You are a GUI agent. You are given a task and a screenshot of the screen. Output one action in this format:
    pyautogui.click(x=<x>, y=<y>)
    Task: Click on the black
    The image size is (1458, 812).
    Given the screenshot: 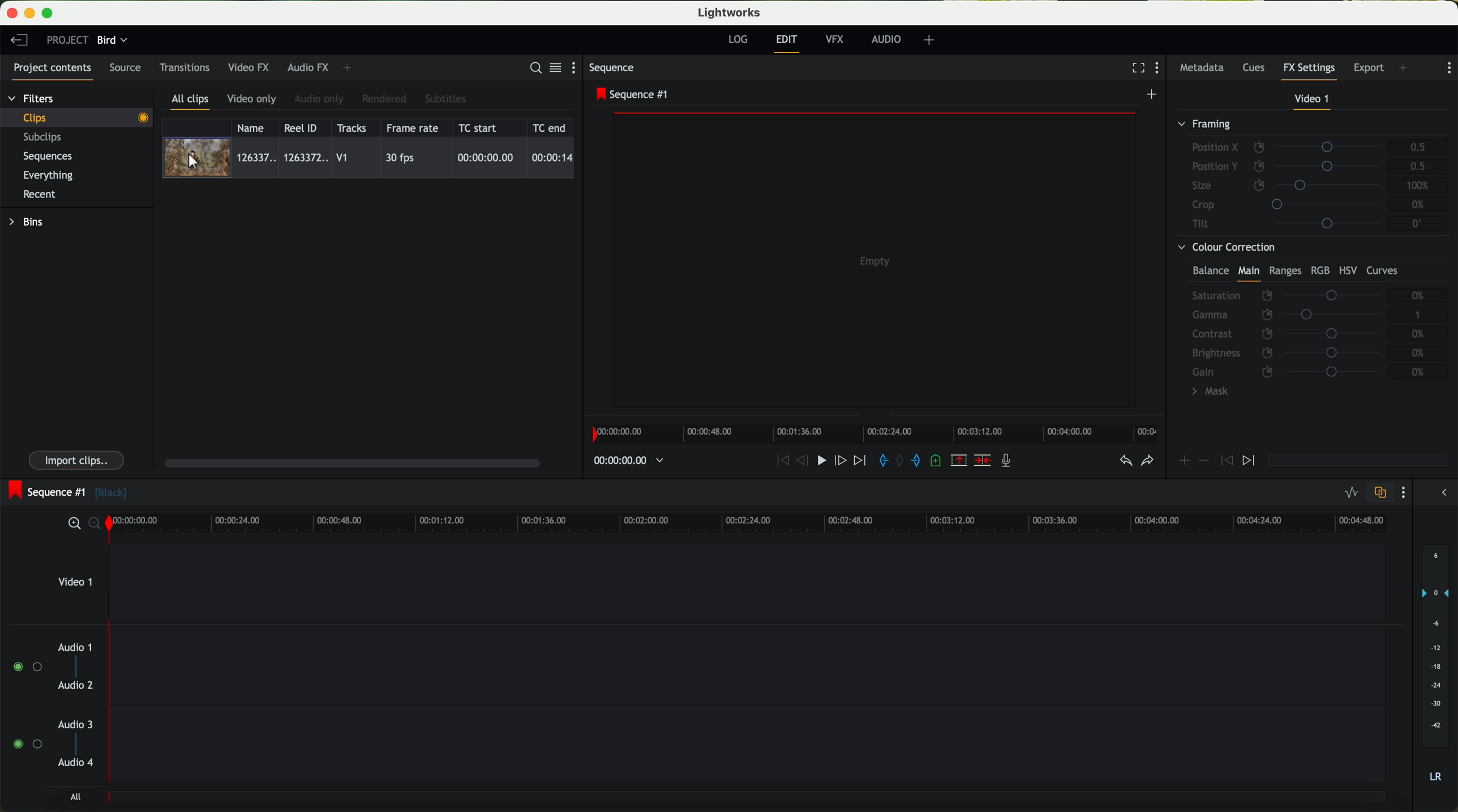 What is the action you would take?
    pyautogui.click(x=113, y=493)
    